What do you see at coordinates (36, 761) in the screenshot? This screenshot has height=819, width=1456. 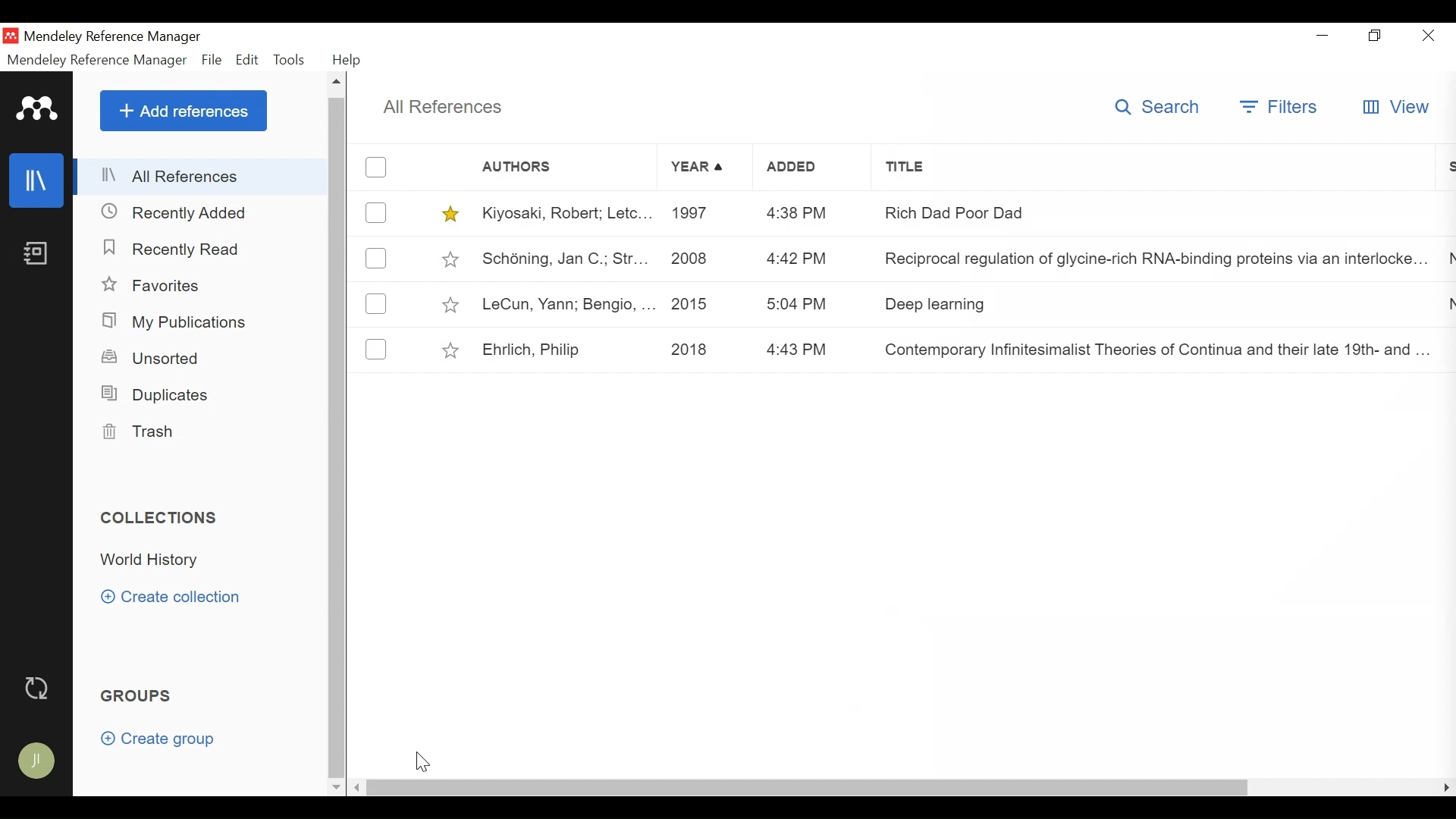 I see `Avatar` at bounding box center [36, 761].